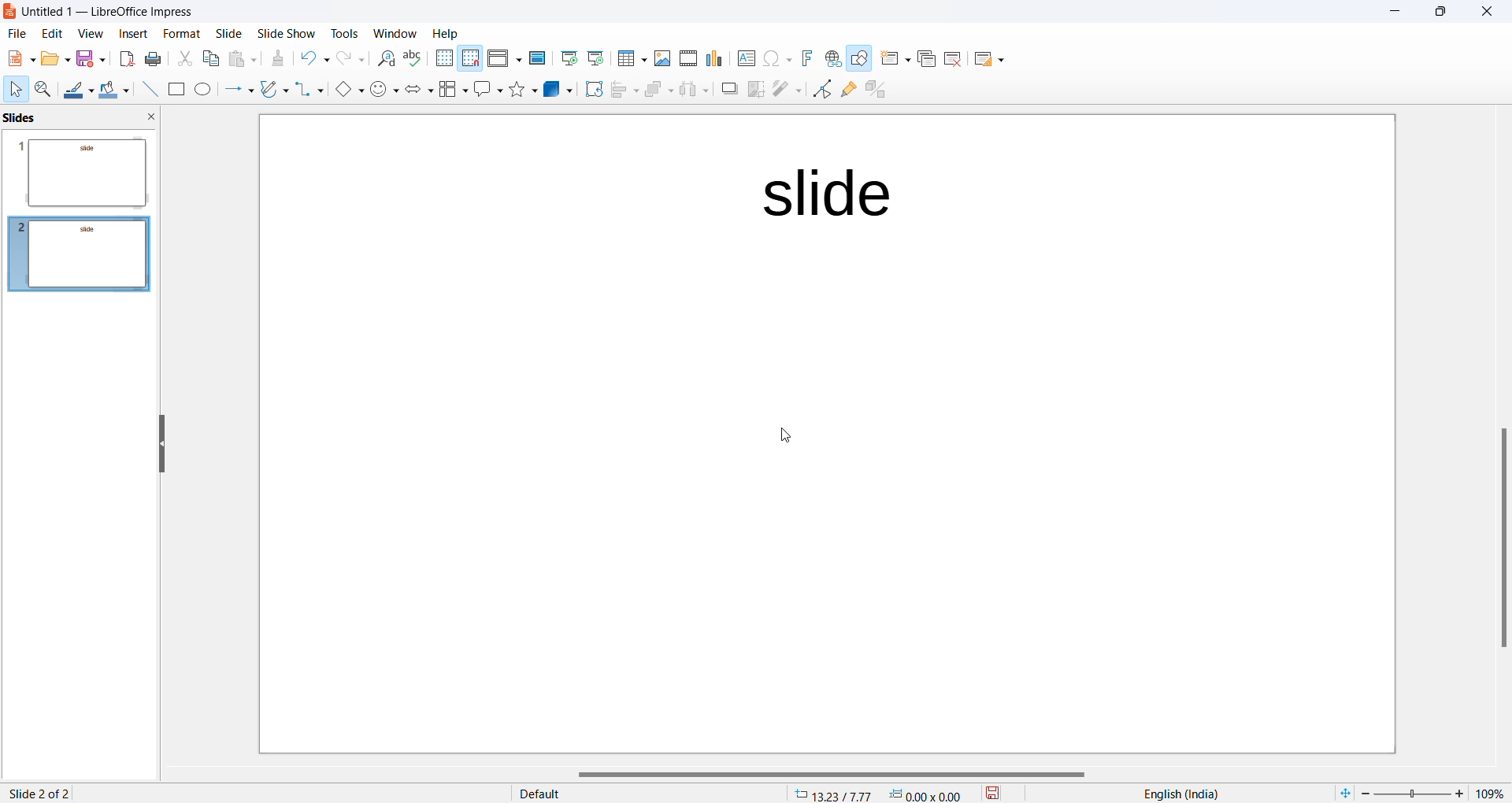 The image size is (1512, 803). I want to click on Flow chart, so click(451, 90).